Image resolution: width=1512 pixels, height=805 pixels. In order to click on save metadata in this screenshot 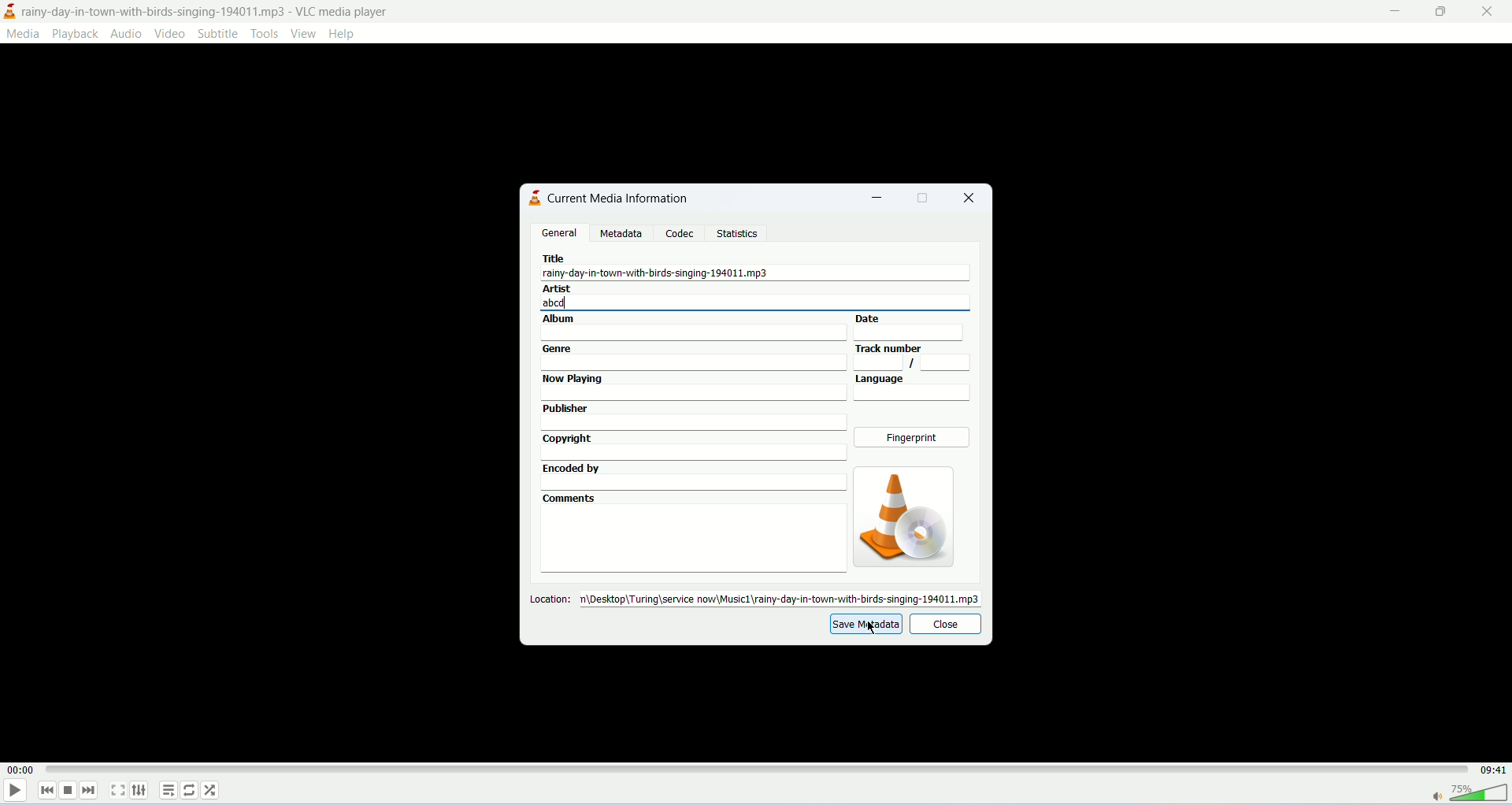, I will do `click(864, 625)`.